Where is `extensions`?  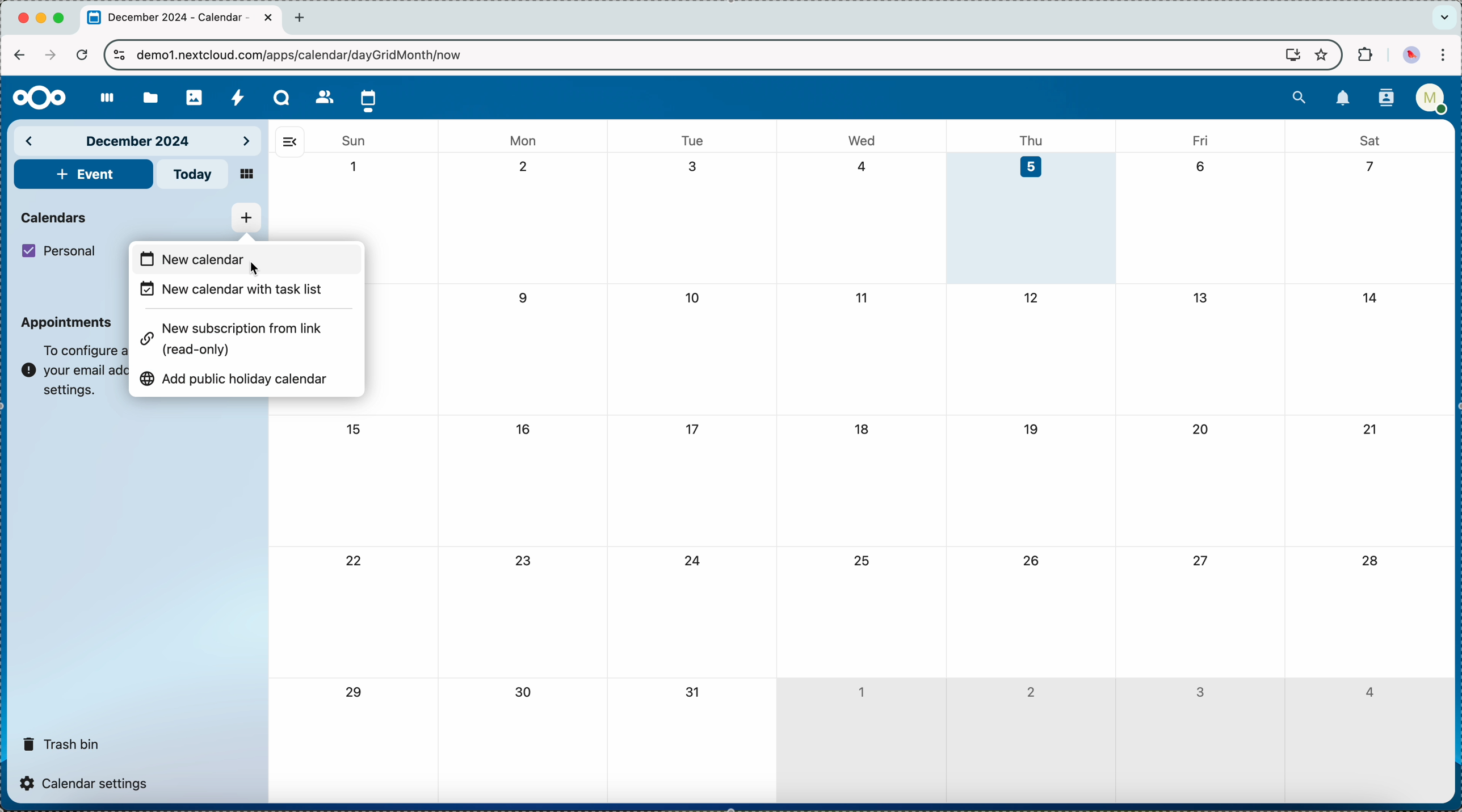
extensions is located at coordinates (1363, 56).